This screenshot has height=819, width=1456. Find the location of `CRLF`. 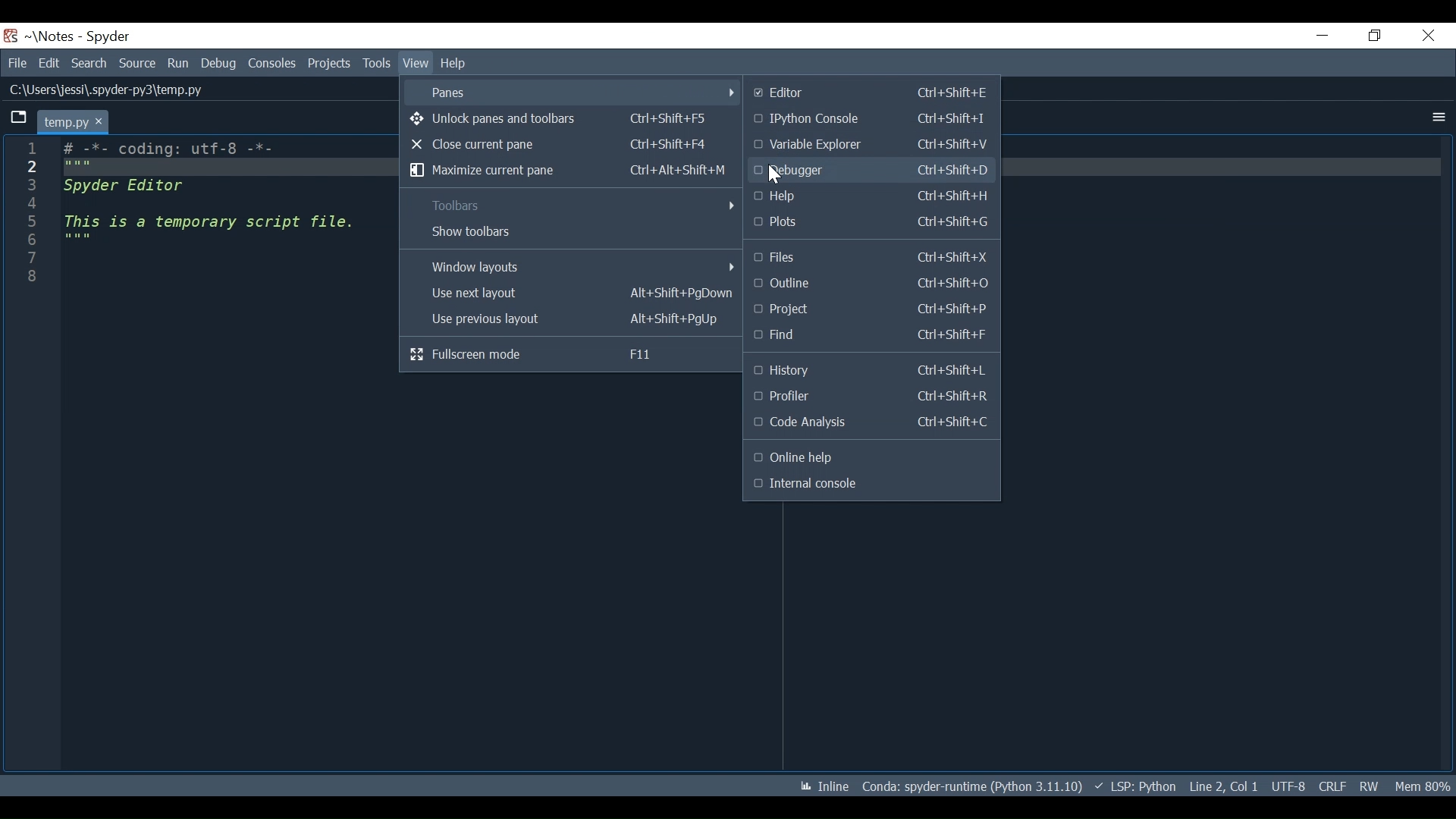

CRLF is located at coordinates (1332, 786).